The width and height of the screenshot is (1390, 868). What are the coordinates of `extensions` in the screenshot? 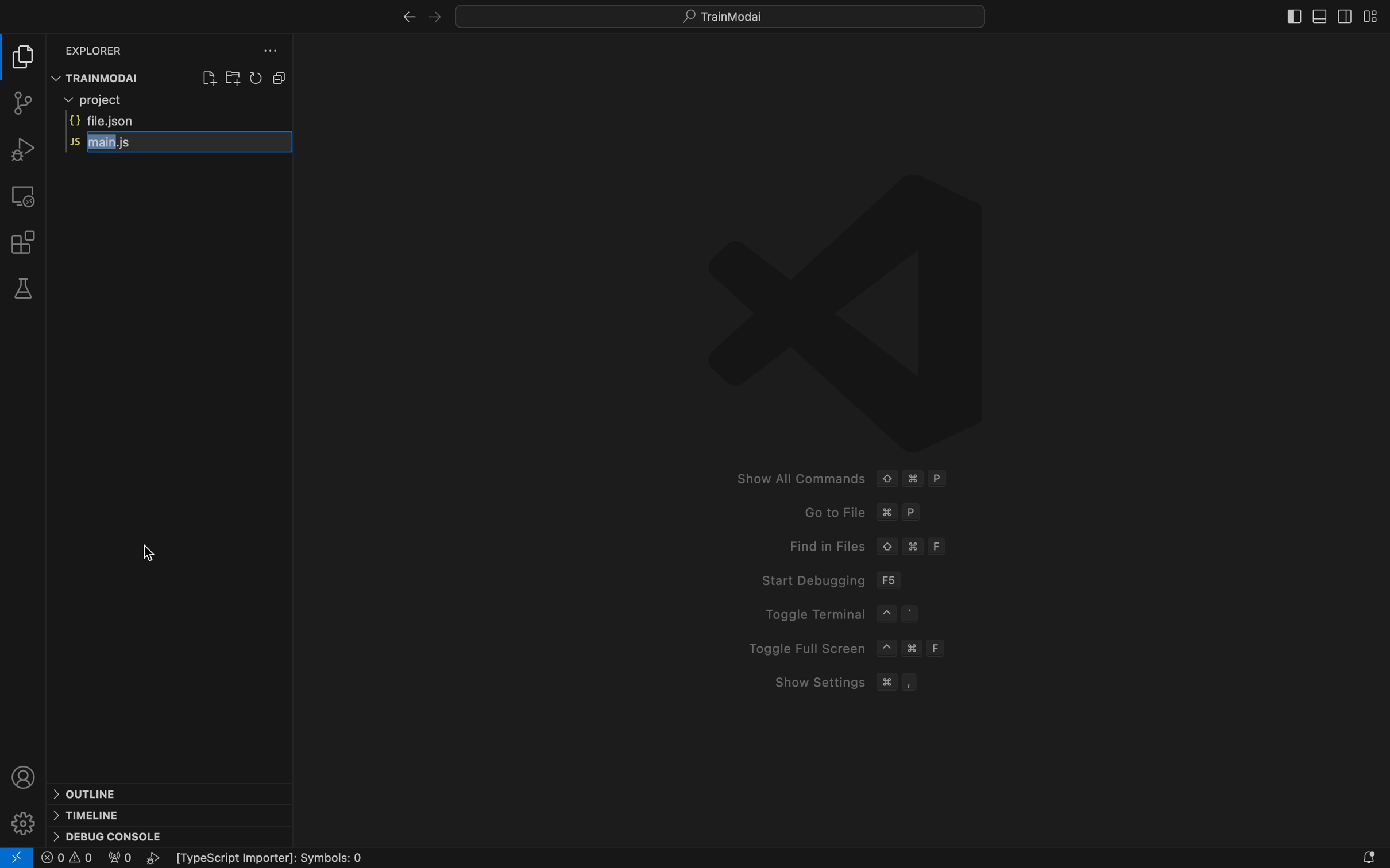 It's located at (22, 241).